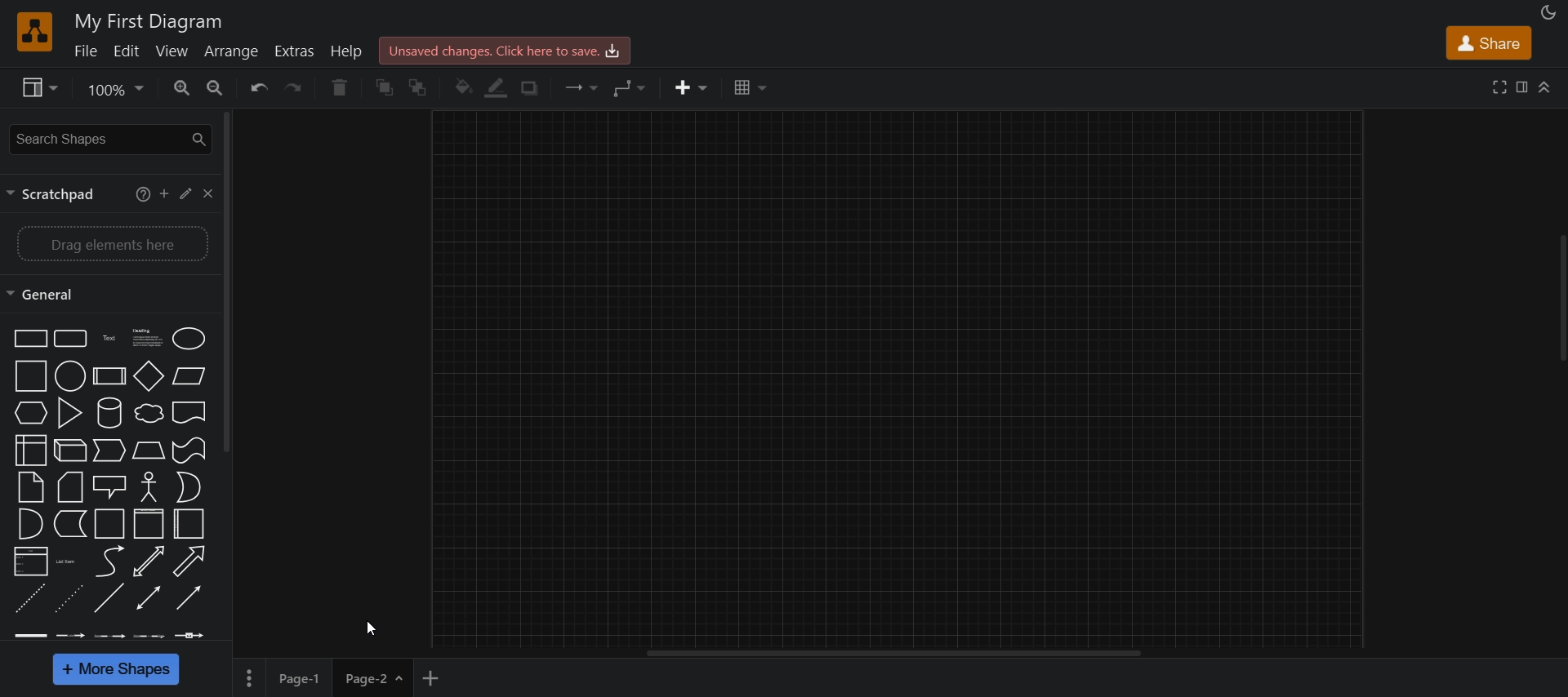 The height and width of the screenshot is (697, 1568). I want to click on fill color, so click(463, 87).